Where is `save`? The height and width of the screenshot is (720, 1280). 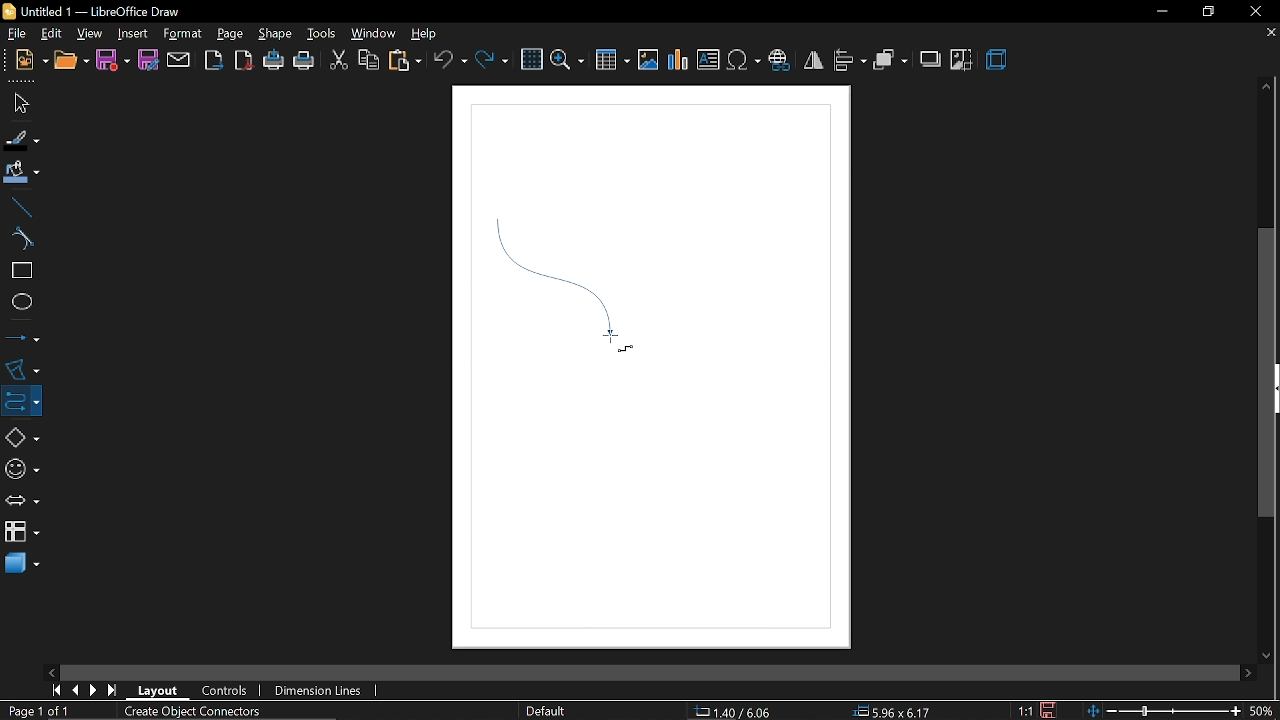
save is located at coordinates (113, 61).